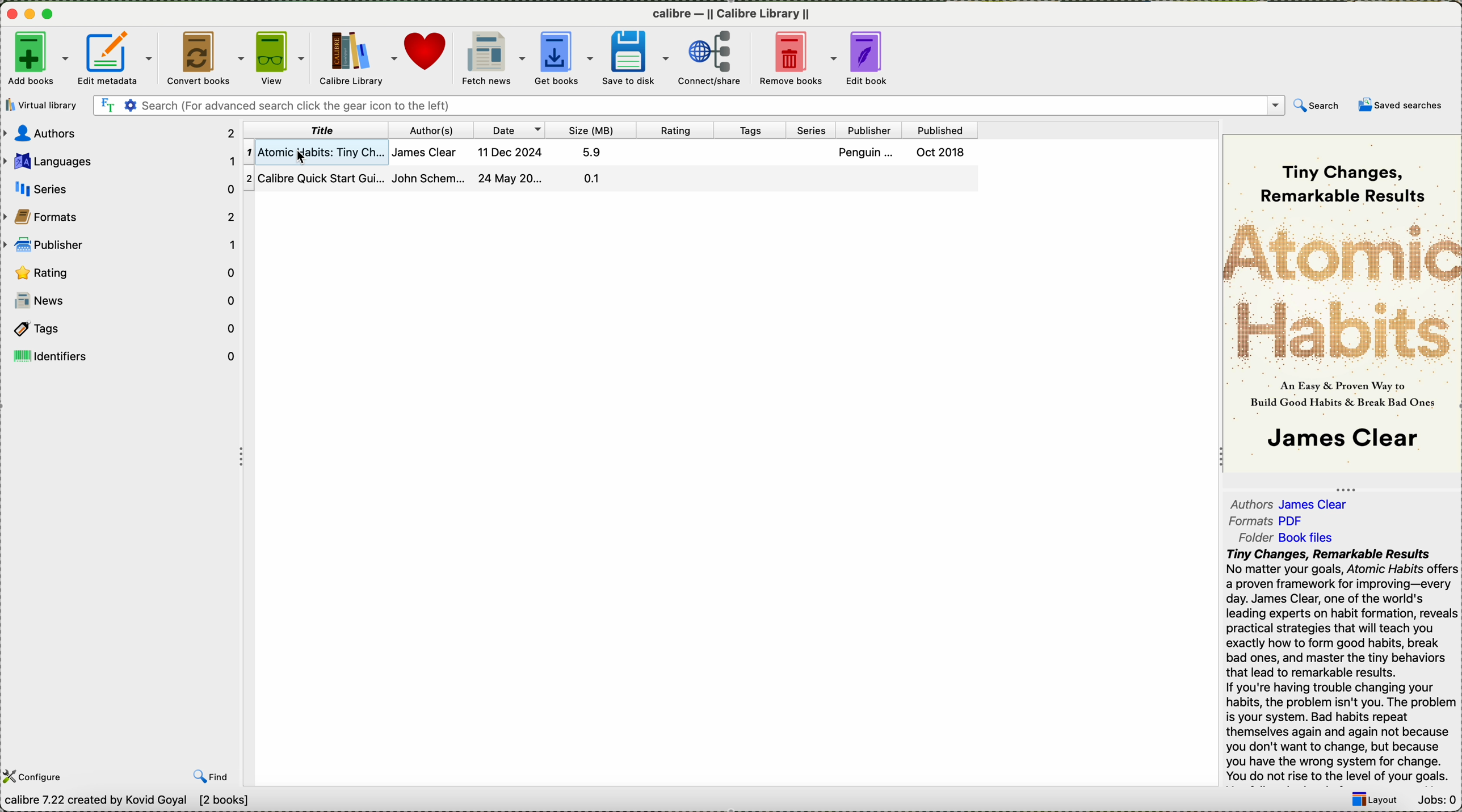 The image size is (1462, 812). What do you see at coordinates (869, 60) in the screenshot?
I see `edit book` at bounding box center [869, 60].